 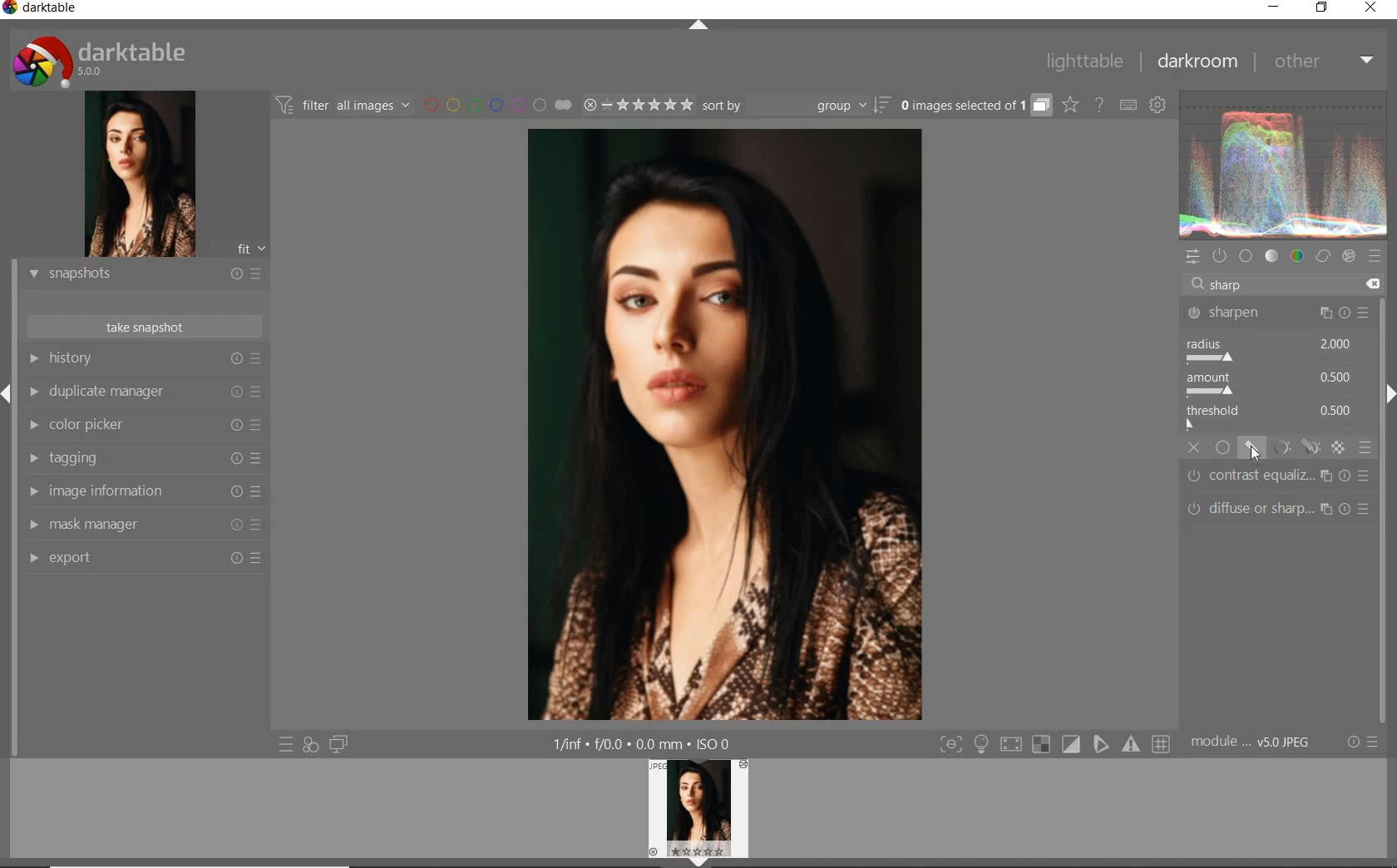 I want to click on quick access panel, so click(x=1195, y=259).